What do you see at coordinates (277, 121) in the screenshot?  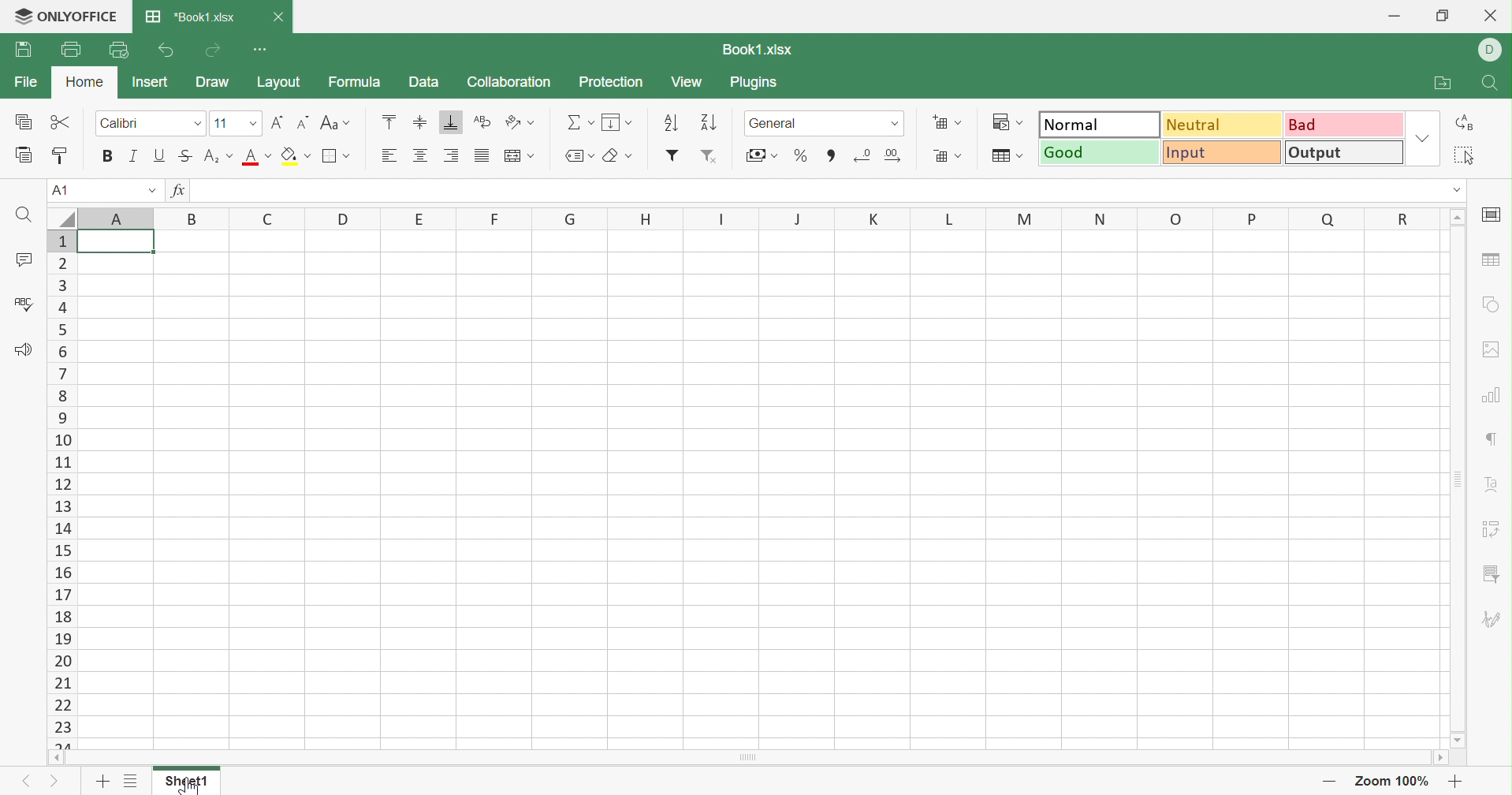 I see `Increase font size` at bounding box center [277, 121].